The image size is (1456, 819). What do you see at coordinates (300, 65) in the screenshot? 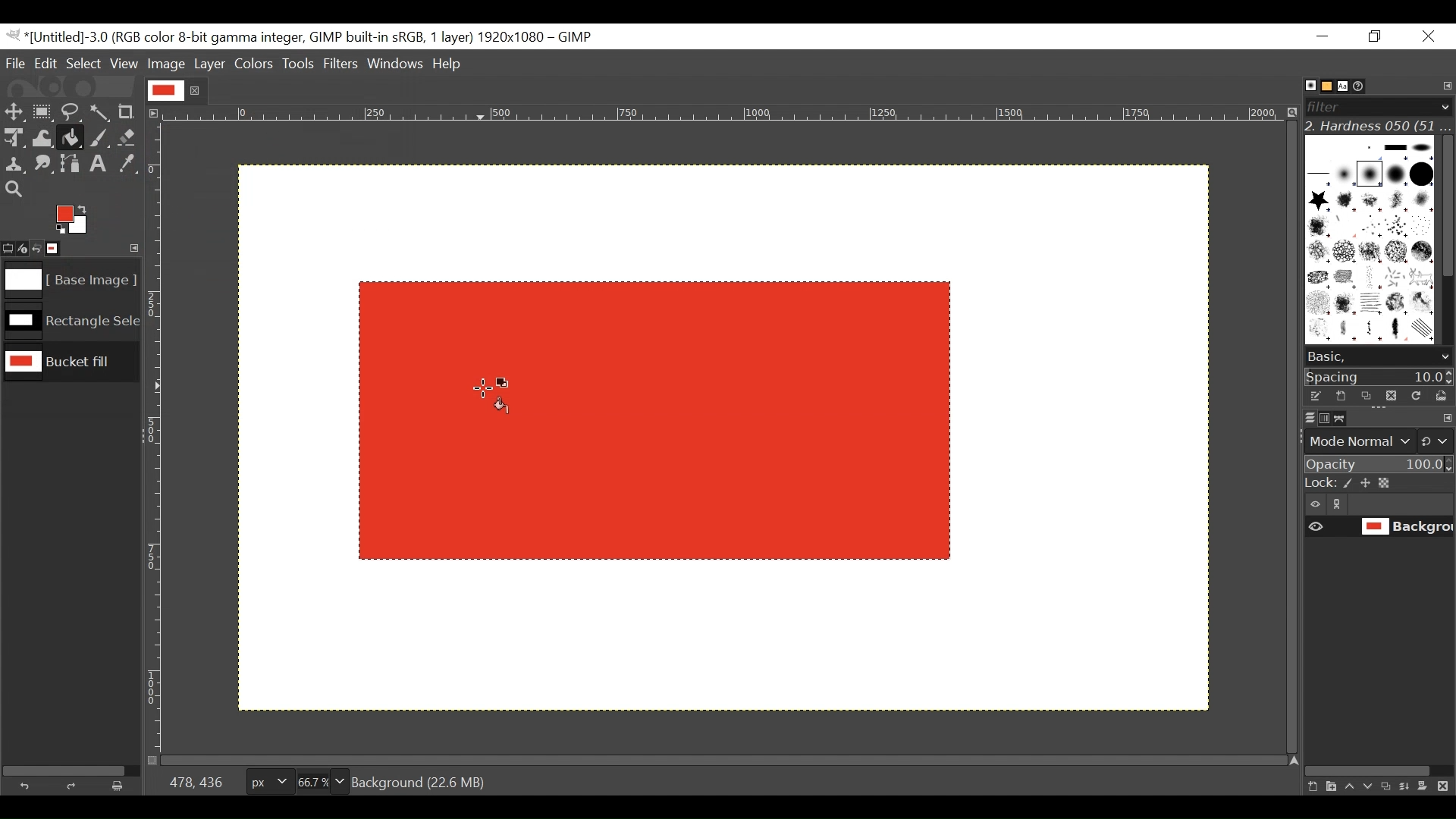
I see `Tools` at bounding box center [300, 65].